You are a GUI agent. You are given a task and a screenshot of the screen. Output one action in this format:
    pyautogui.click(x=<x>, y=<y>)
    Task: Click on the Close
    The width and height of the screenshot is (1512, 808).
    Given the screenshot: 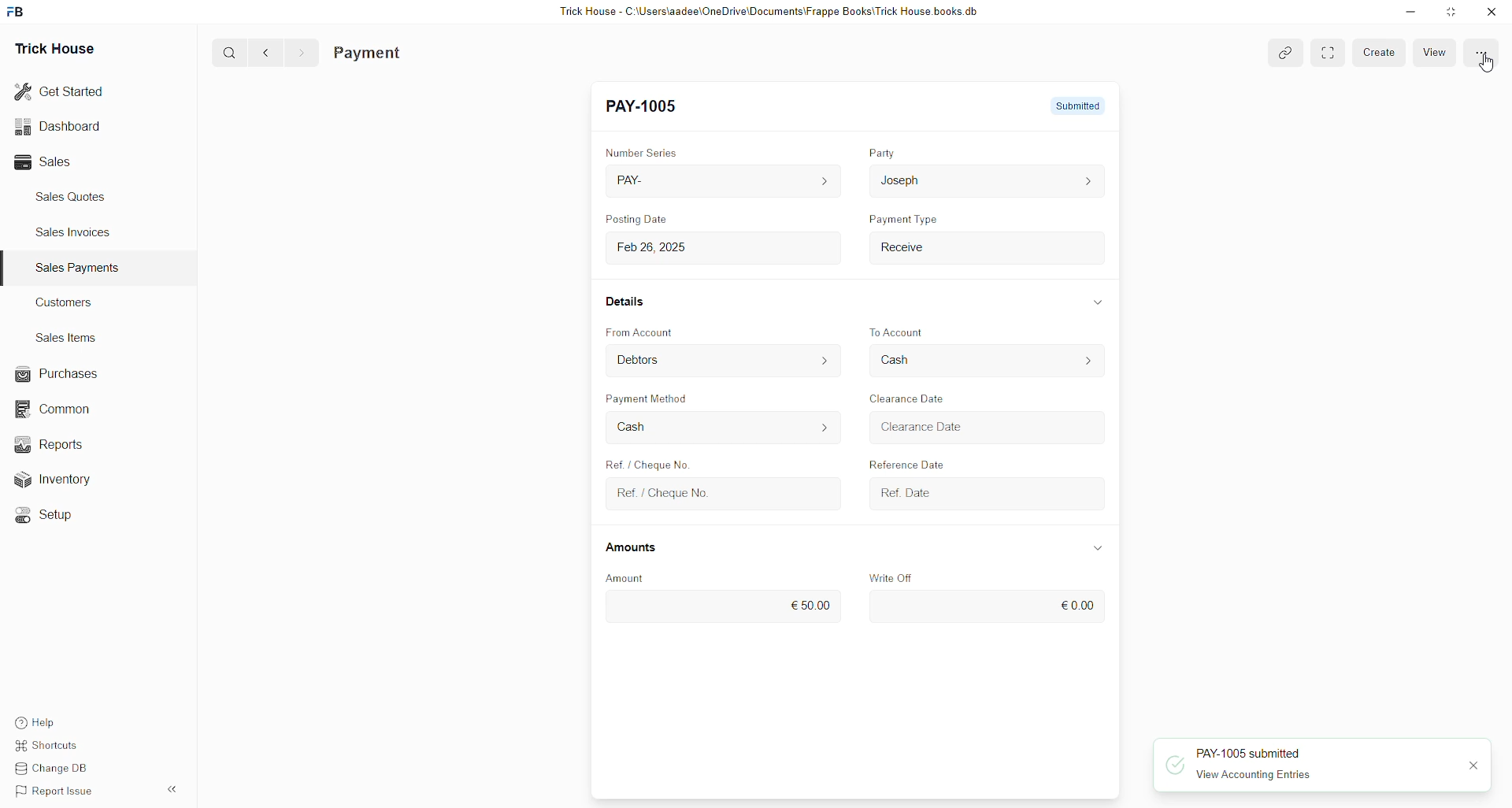 What is the action you would take?
    pyautogui.click(x=1491, y=13)
    